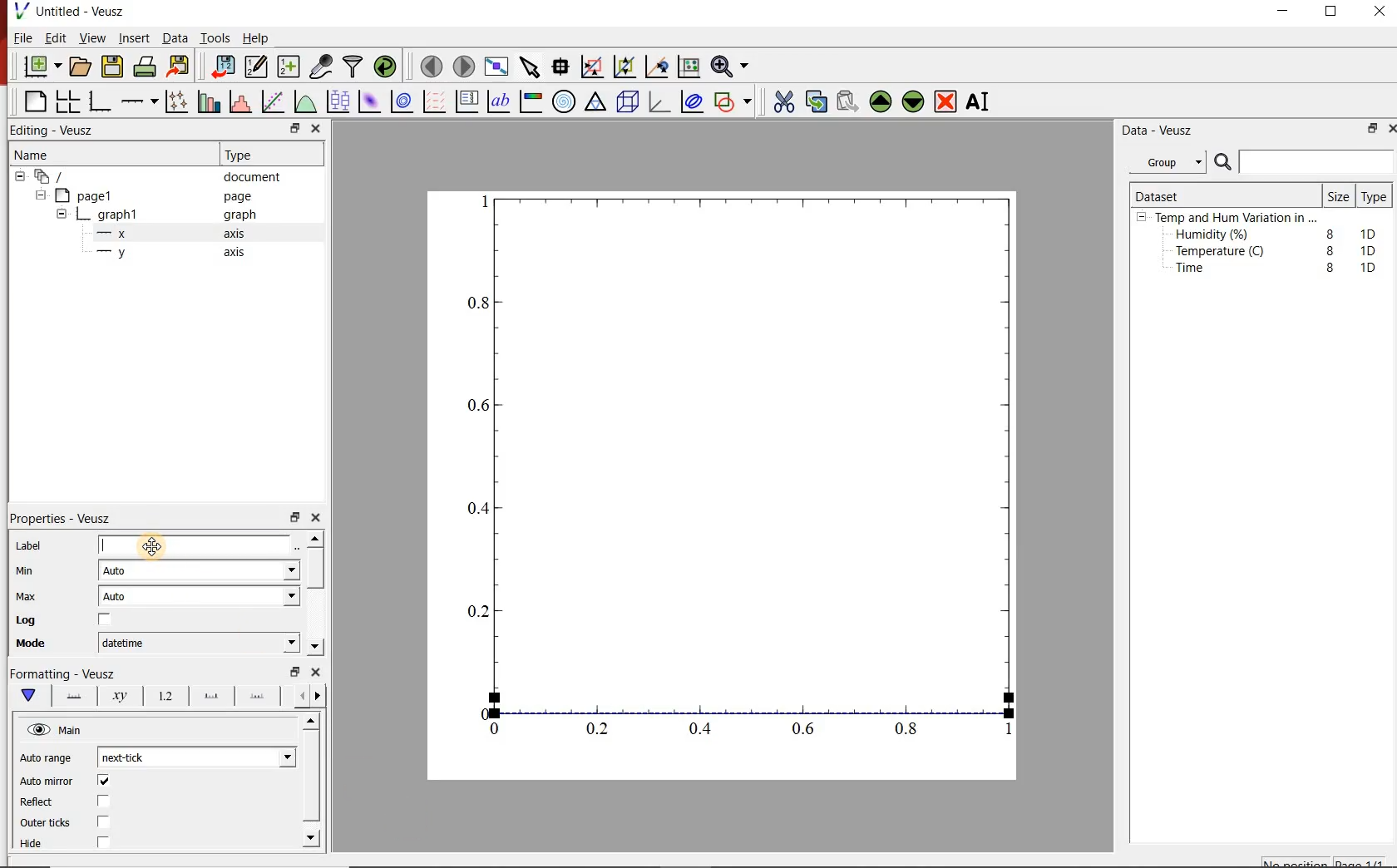 Image resolution: width=1397 pixels, height=868 pixels. I want to click on click or draw a rectangle to zoom graph axes, so click(595, 67).